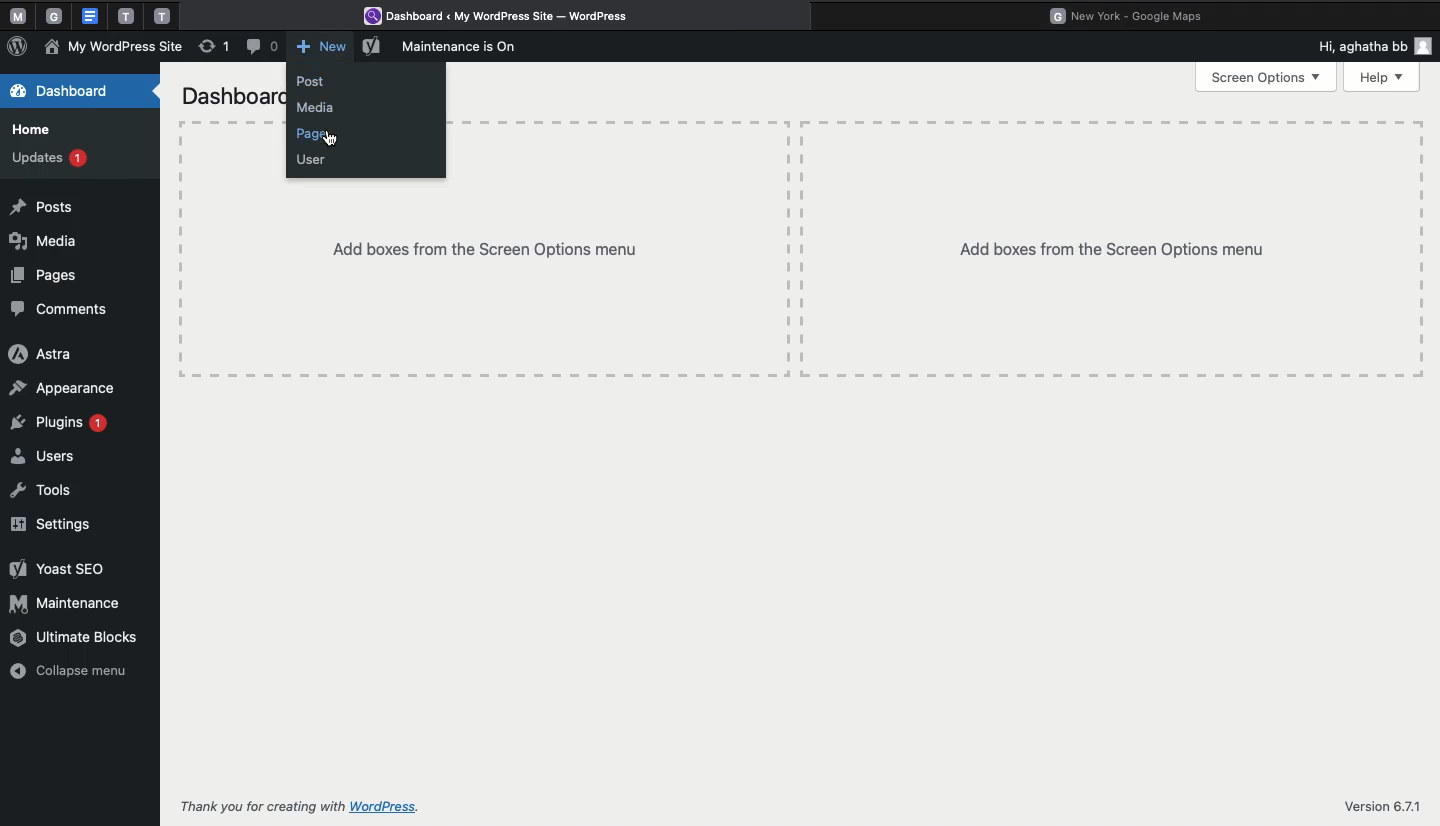  What do you see at coordinates (126, 16) in the screenshot?
I see `tab` at bounding box center [126, 16].